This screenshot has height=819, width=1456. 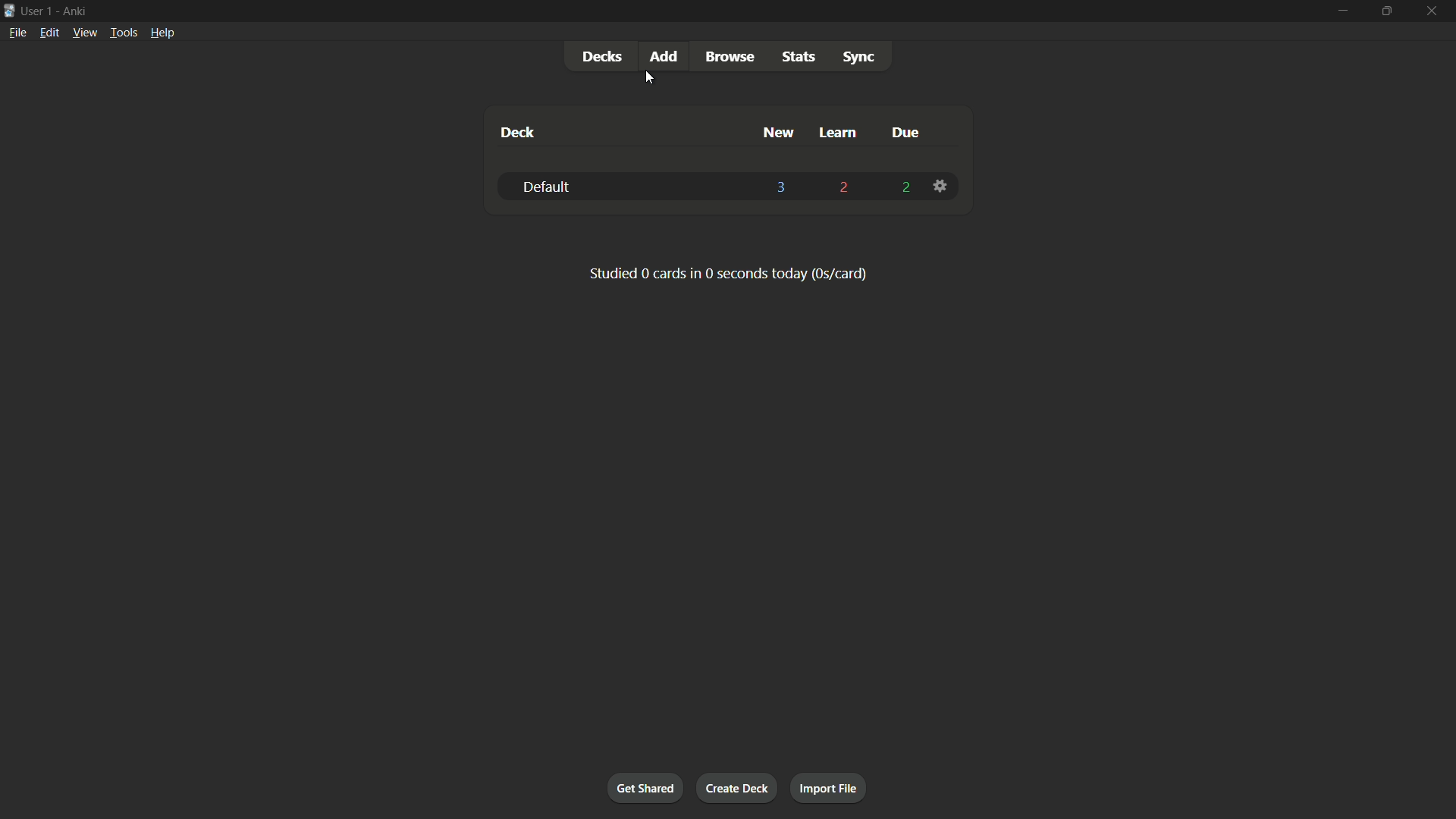 I want to click on stats, so click(x=800, y=57).